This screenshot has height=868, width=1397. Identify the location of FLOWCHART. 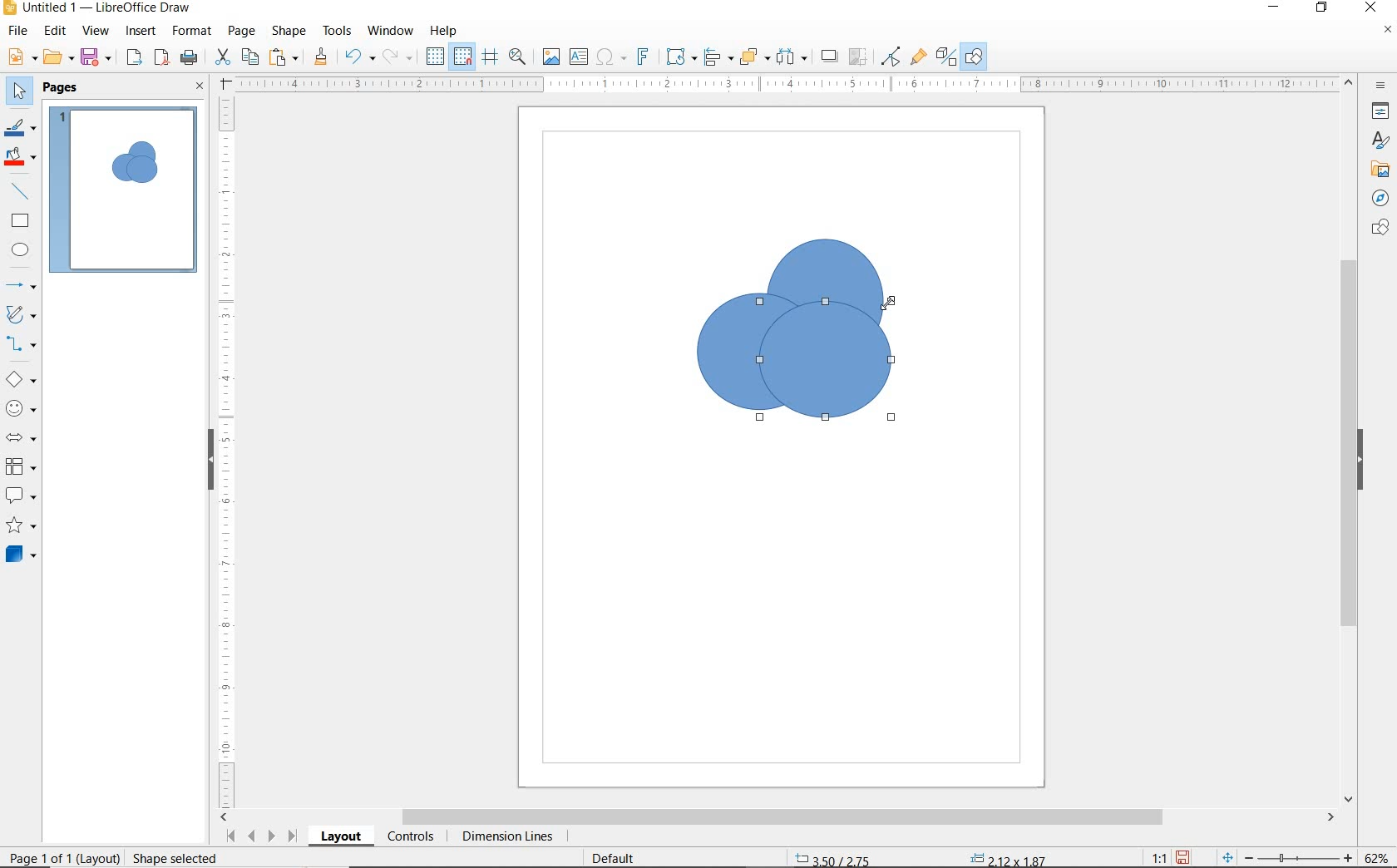
(20, 467).